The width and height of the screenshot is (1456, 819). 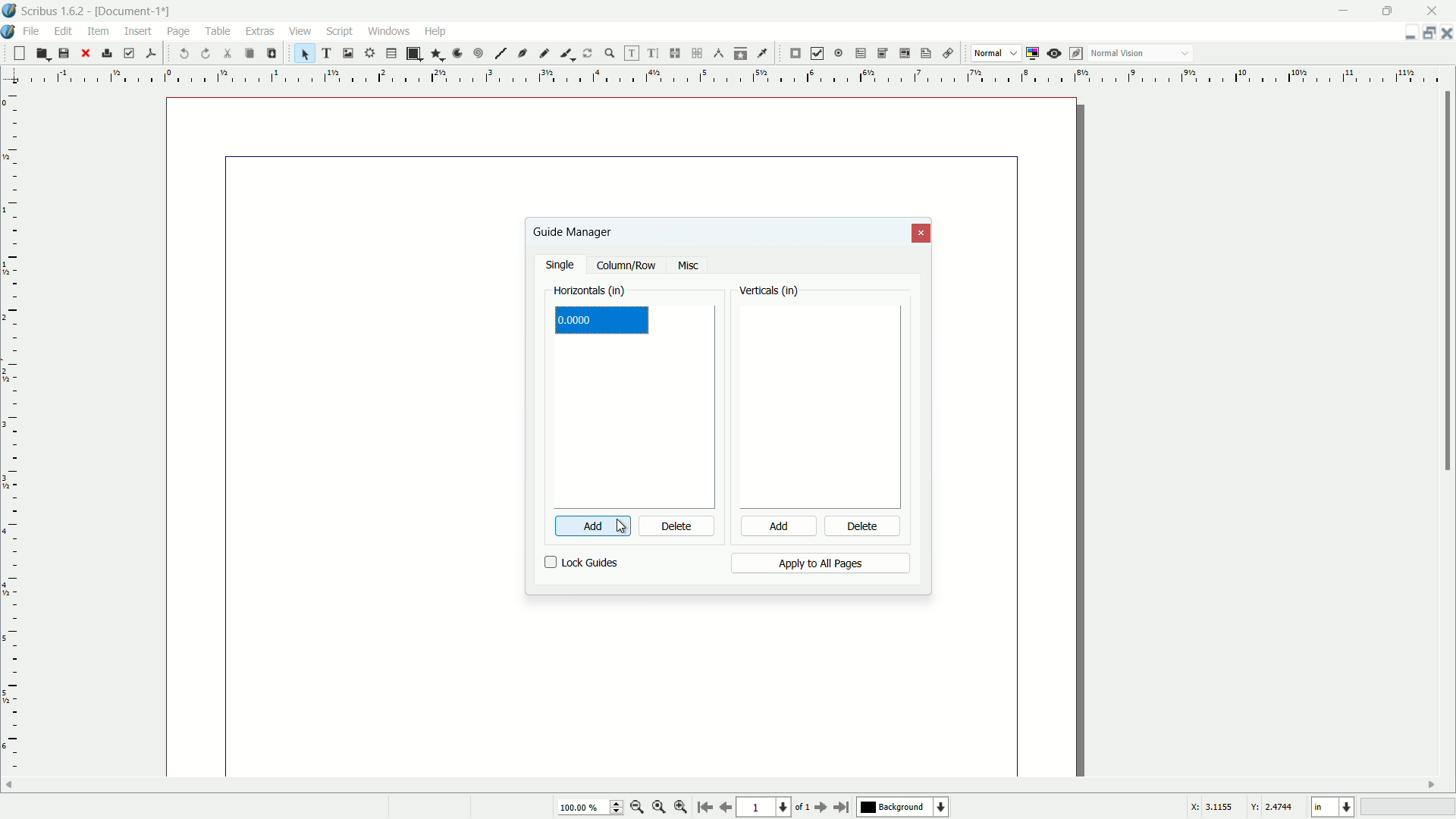 What do you see at coordinates (905, 808) in the screenshot?
I see `background` at bounding box center [905, 808].